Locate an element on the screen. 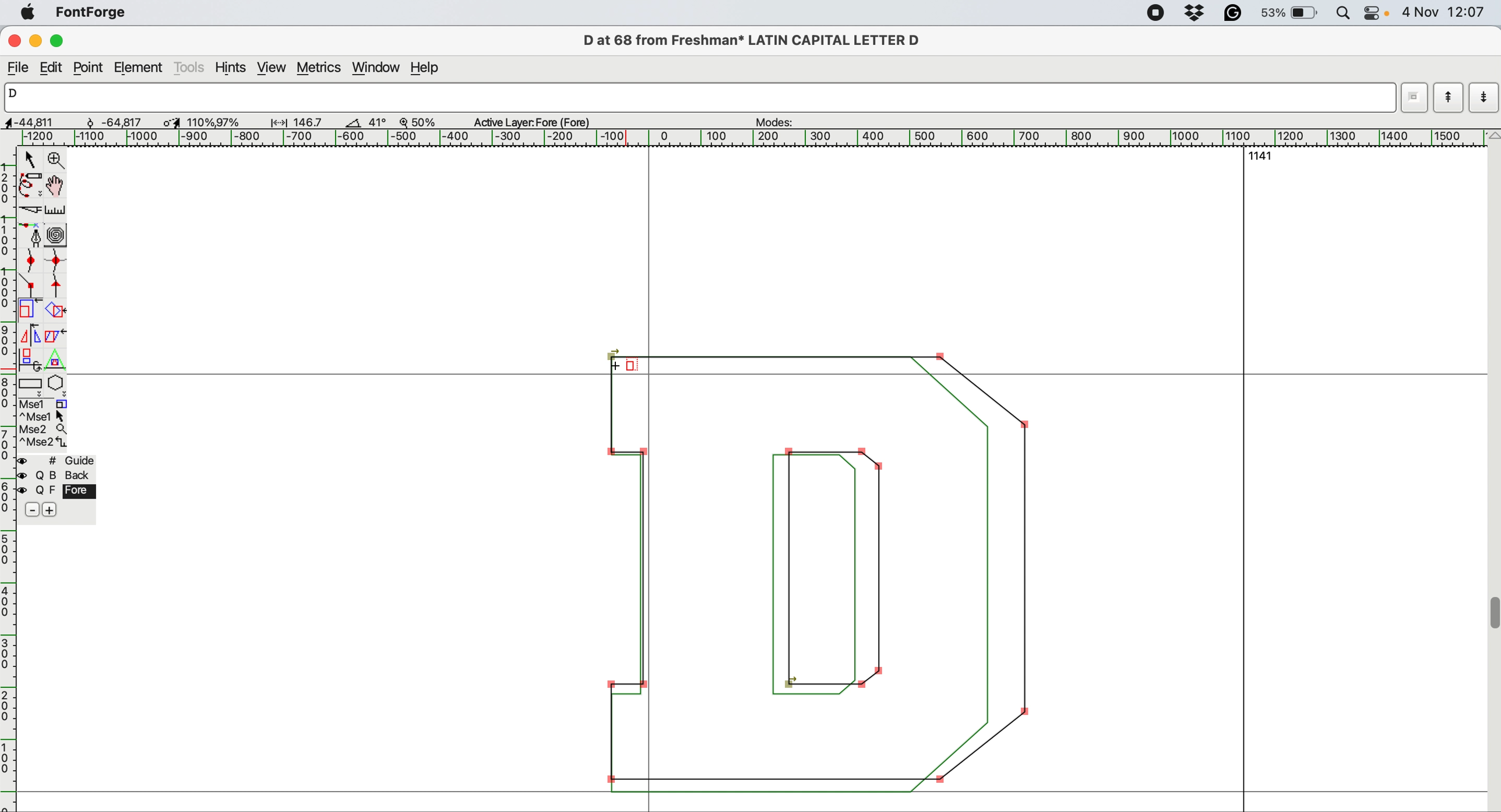  hints is located at coordinates (233, 69).